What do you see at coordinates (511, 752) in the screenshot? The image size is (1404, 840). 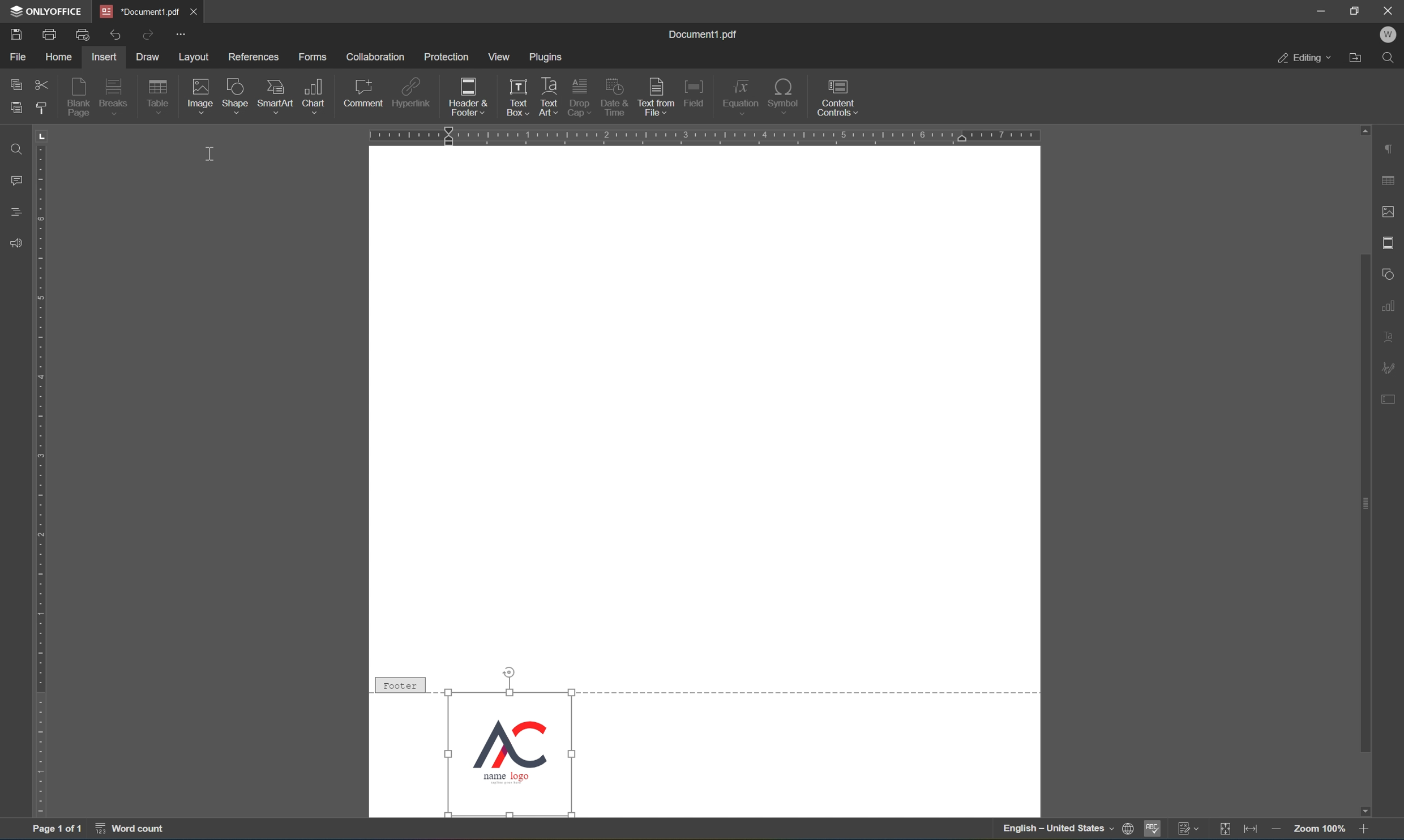 I see `company logo` at bounding box center [511, 752].